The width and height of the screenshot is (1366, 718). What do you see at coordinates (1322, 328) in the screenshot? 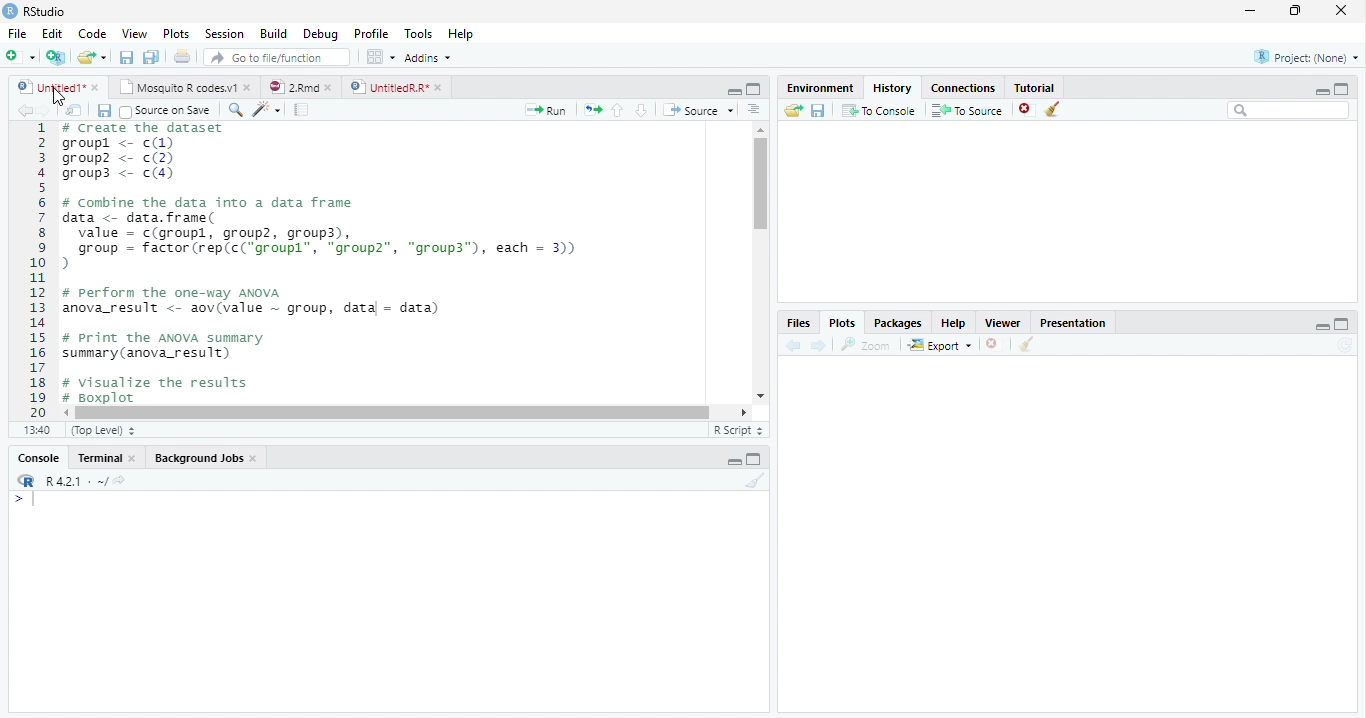
I see `Minimize` at bounding box center [1322, 328].